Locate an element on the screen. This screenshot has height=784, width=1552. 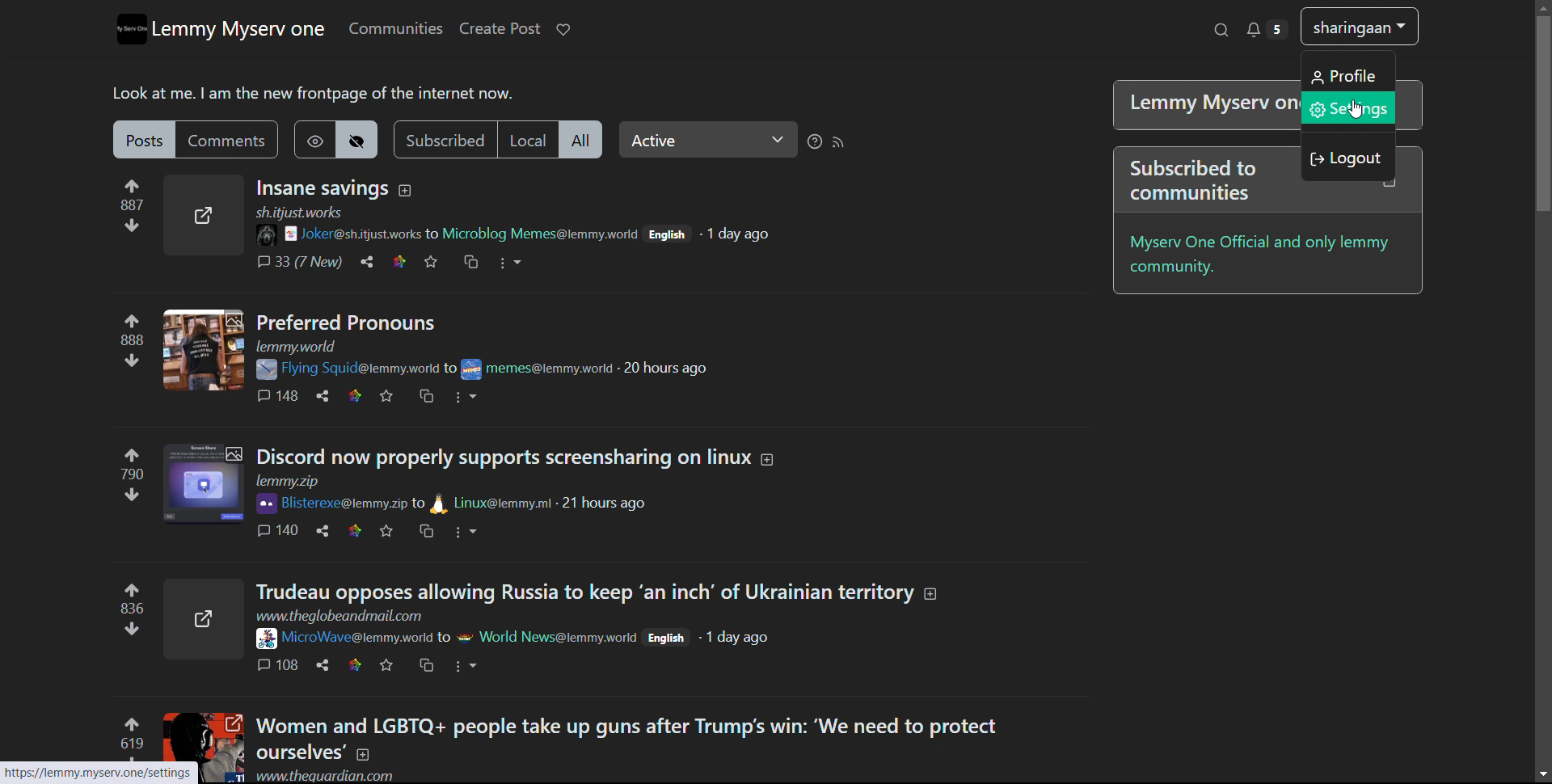
create post is located at coordinates (498, 29).